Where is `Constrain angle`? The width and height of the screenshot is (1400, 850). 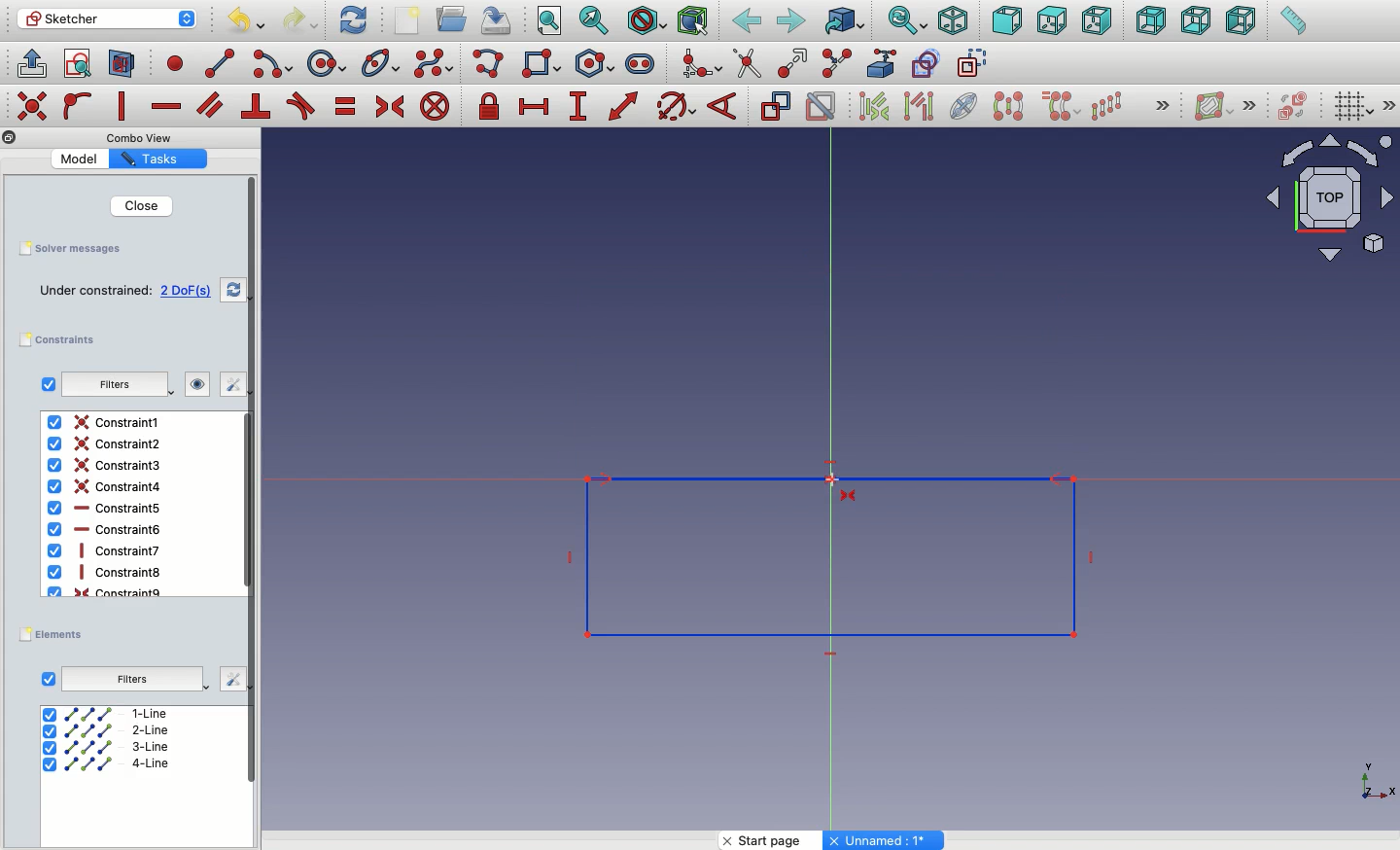 Constrain angle is located at coordinates (722, 106).